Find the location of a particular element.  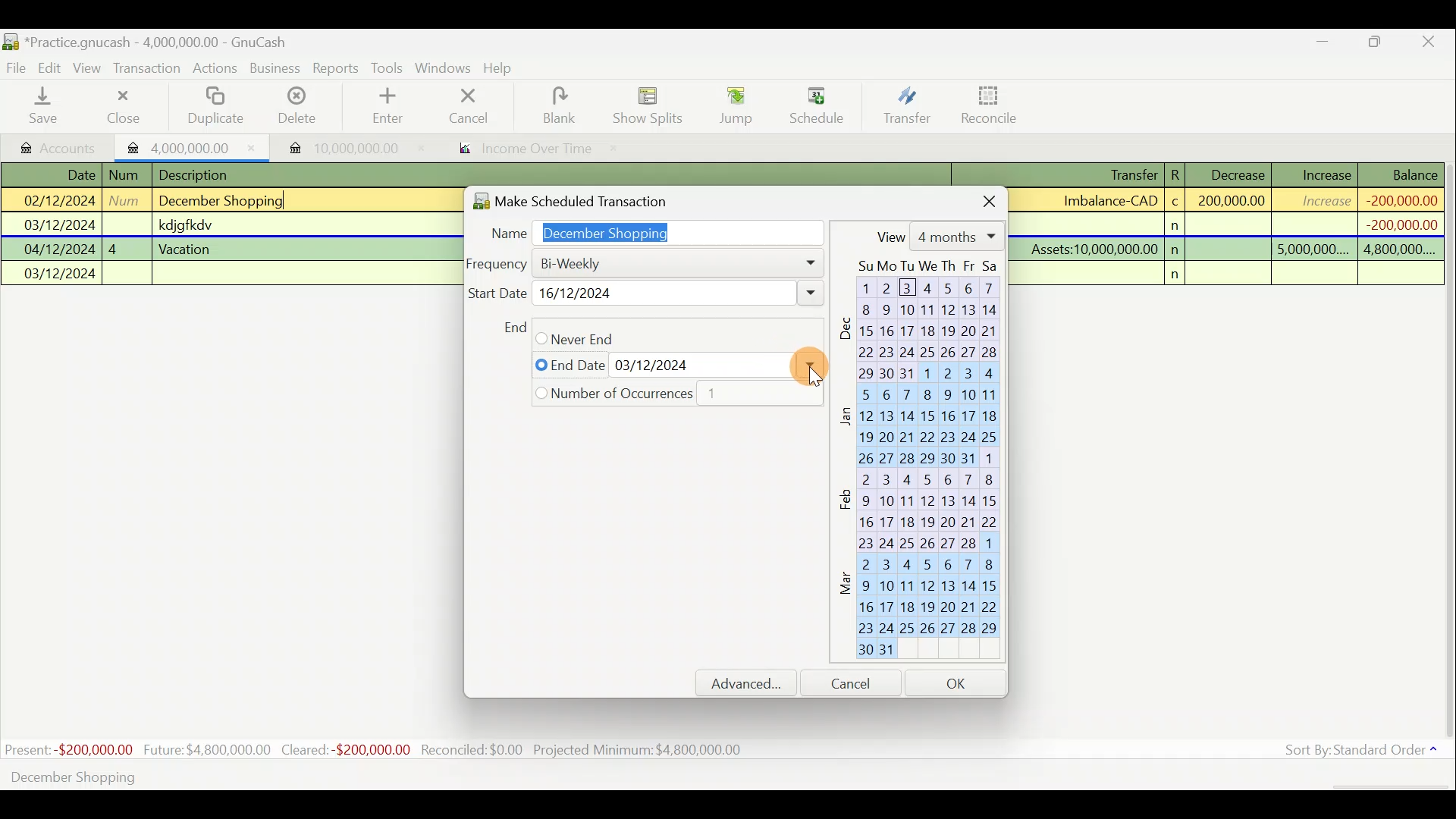

Imported transaction 1 is located at coordinates (193, 146).